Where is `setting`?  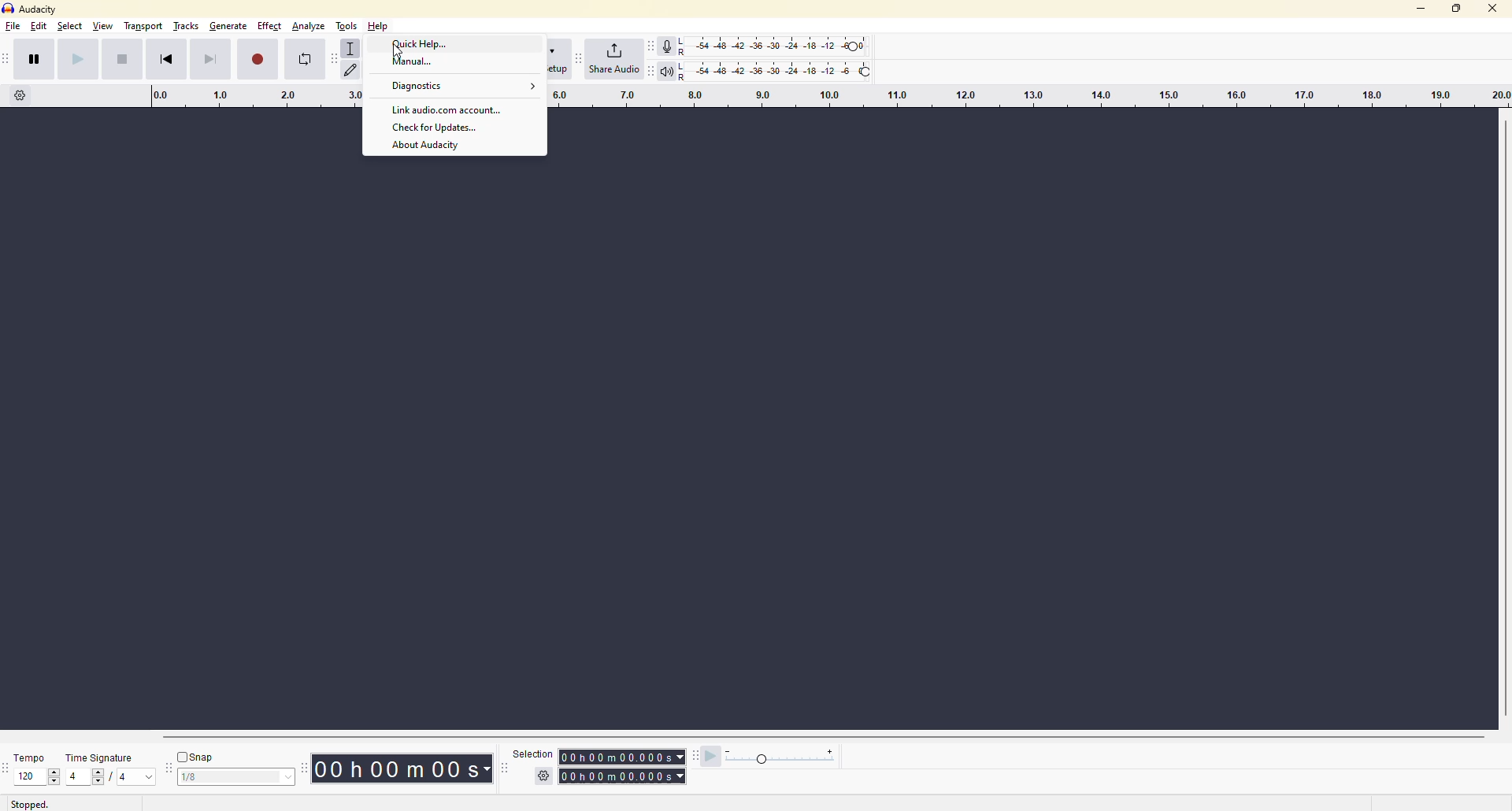 setting is located at coordinates (539, 771).